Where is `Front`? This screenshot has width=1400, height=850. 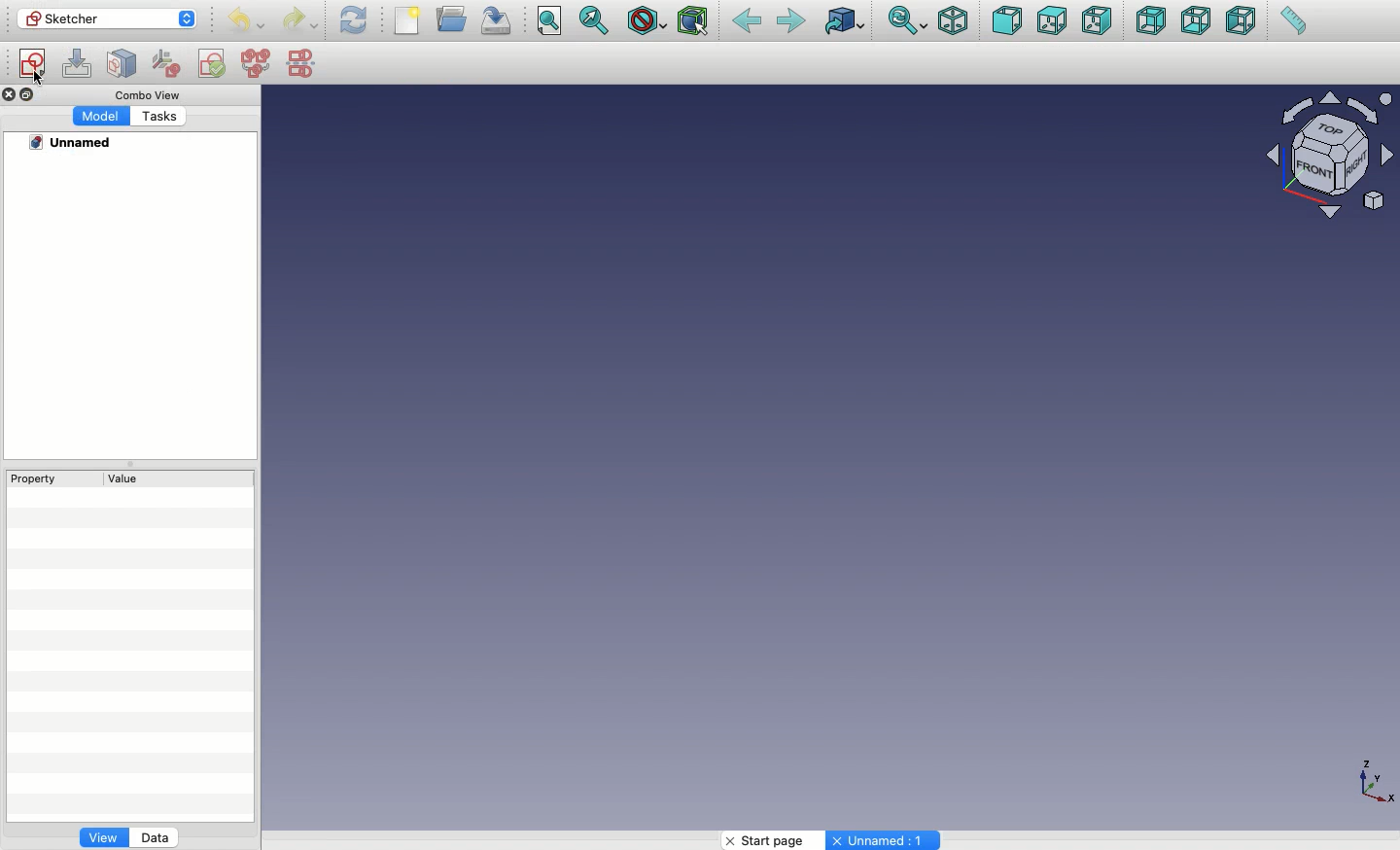
Front is located at coordinates (1006, 20).